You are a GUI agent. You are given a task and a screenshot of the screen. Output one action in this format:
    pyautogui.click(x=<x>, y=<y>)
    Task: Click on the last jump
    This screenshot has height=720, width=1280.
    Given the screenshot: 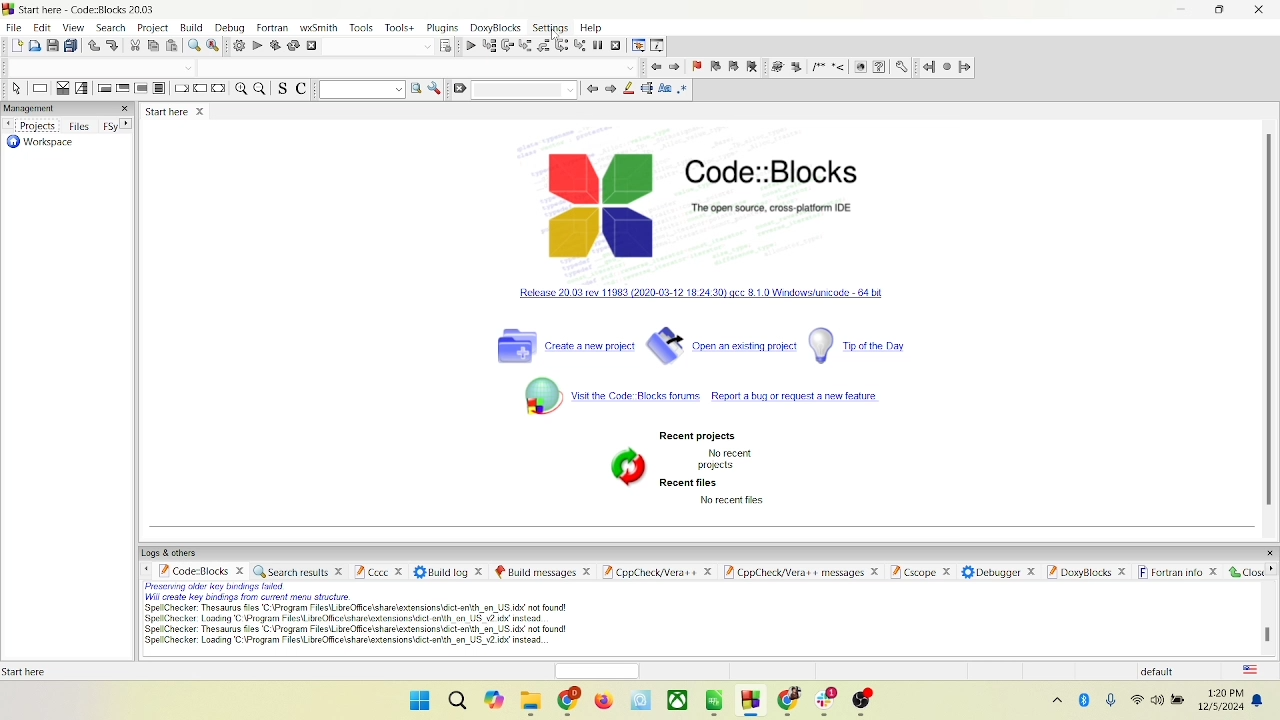 What is the action you would take?
    pyautogui.click(x=947, y=67)
    